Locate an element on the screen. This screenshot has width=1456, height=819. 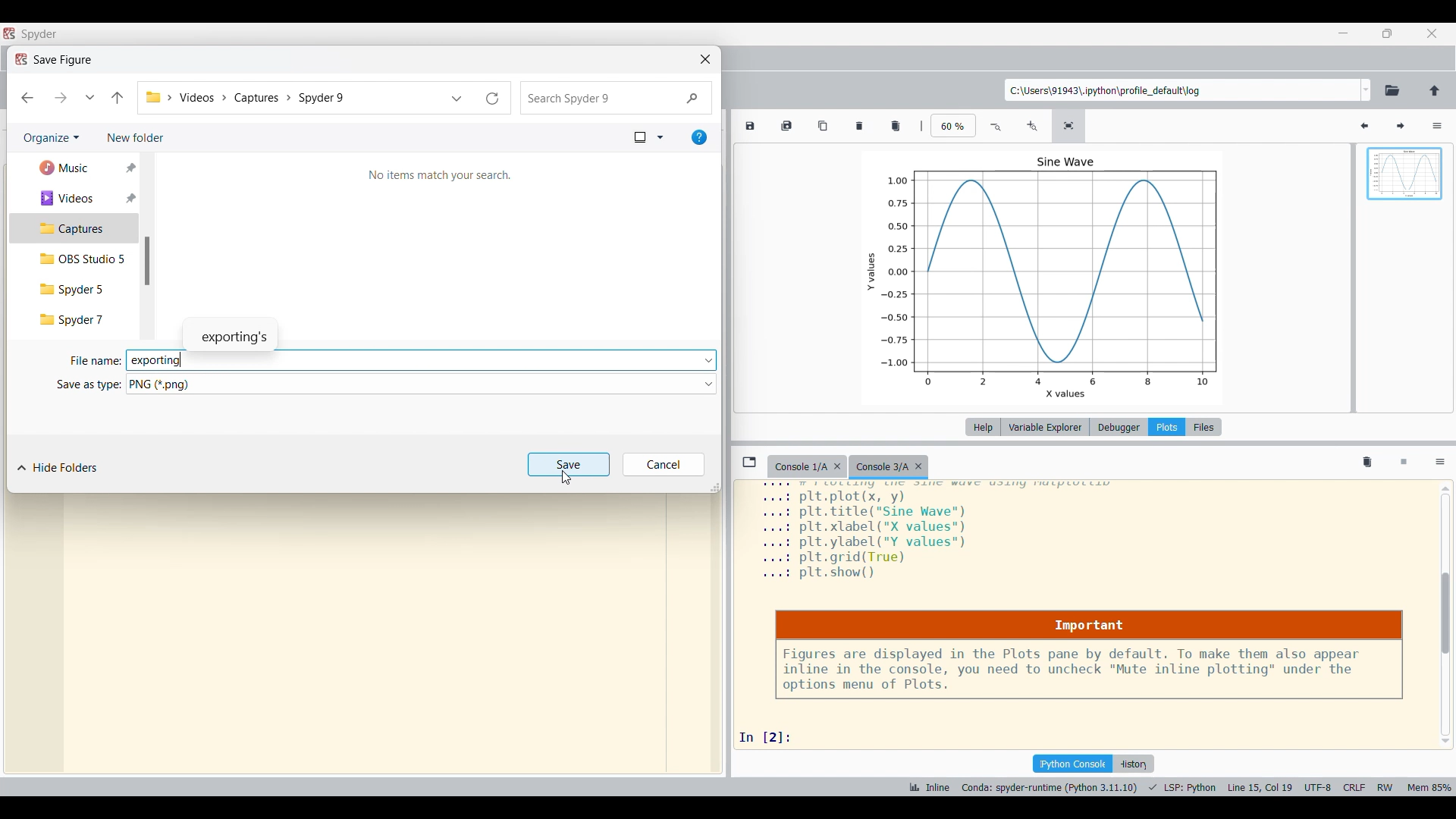
History  is located at coordinates (1133, 764).